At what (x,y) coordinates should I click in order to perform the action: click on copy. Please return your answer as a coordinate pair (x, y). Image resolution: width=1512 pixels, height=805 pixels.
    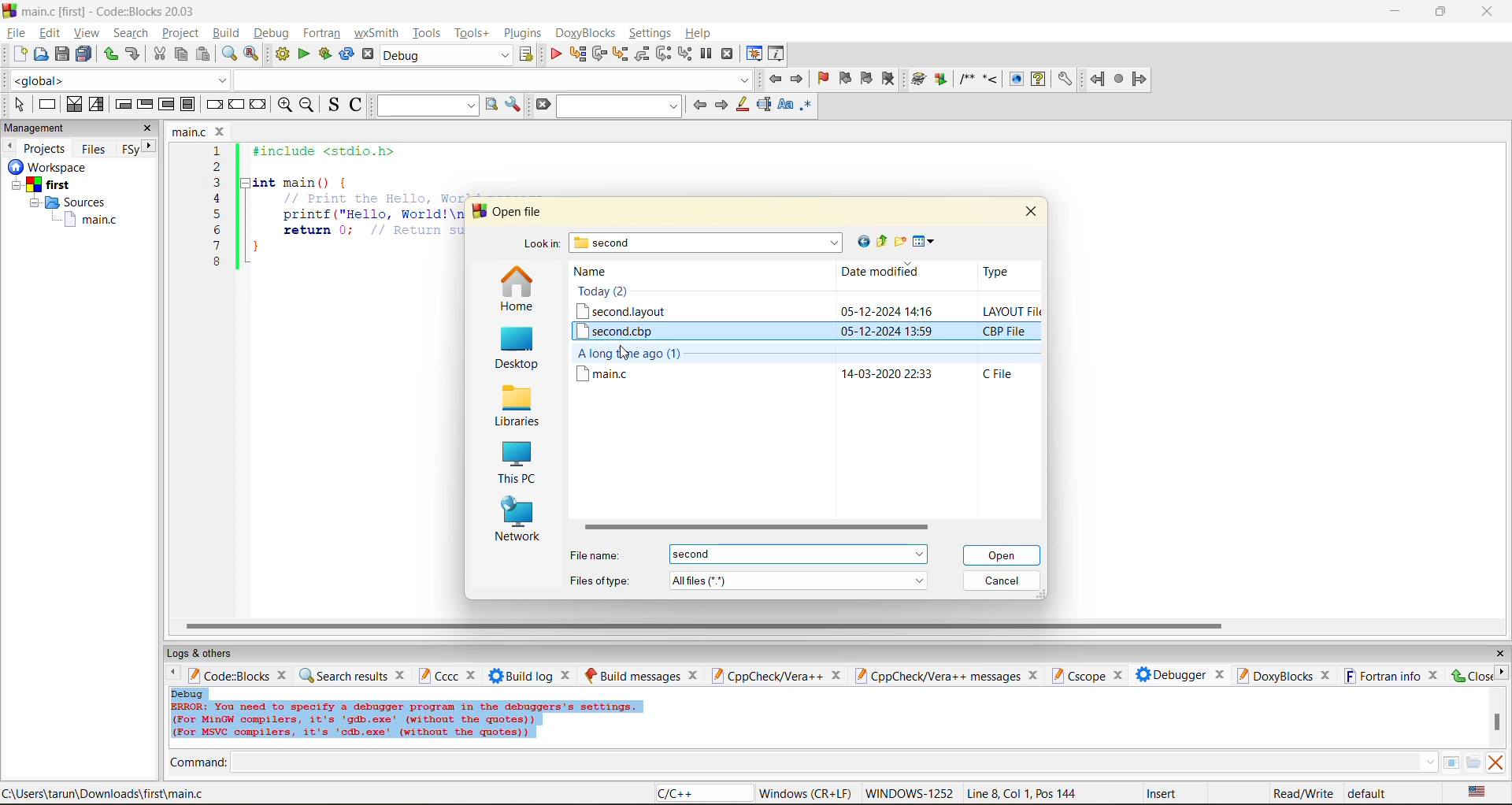
    Looking at the image, I should click on (182, 54).